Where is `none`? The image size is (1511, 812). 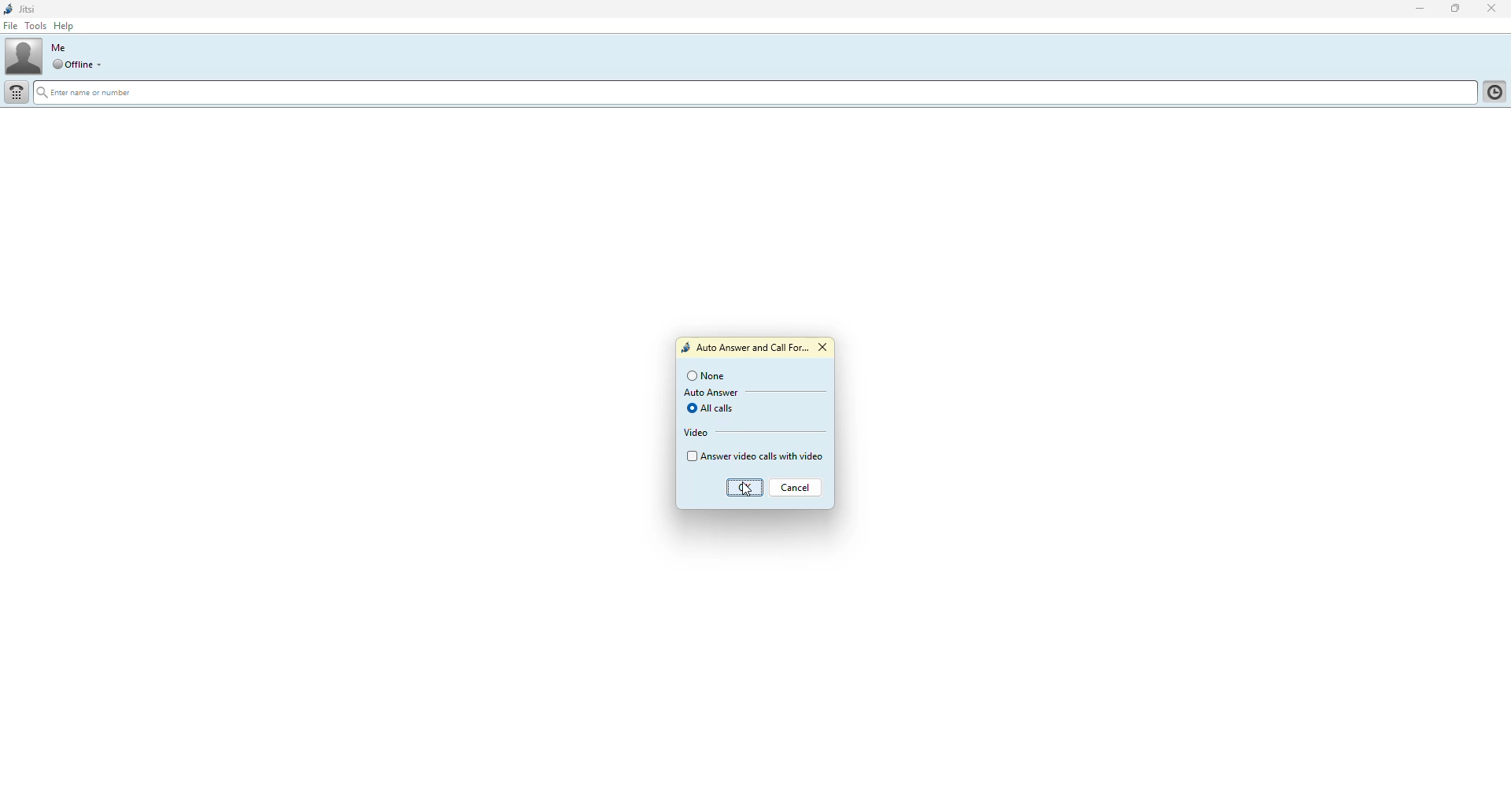 none is located at coordinates (707, 376).